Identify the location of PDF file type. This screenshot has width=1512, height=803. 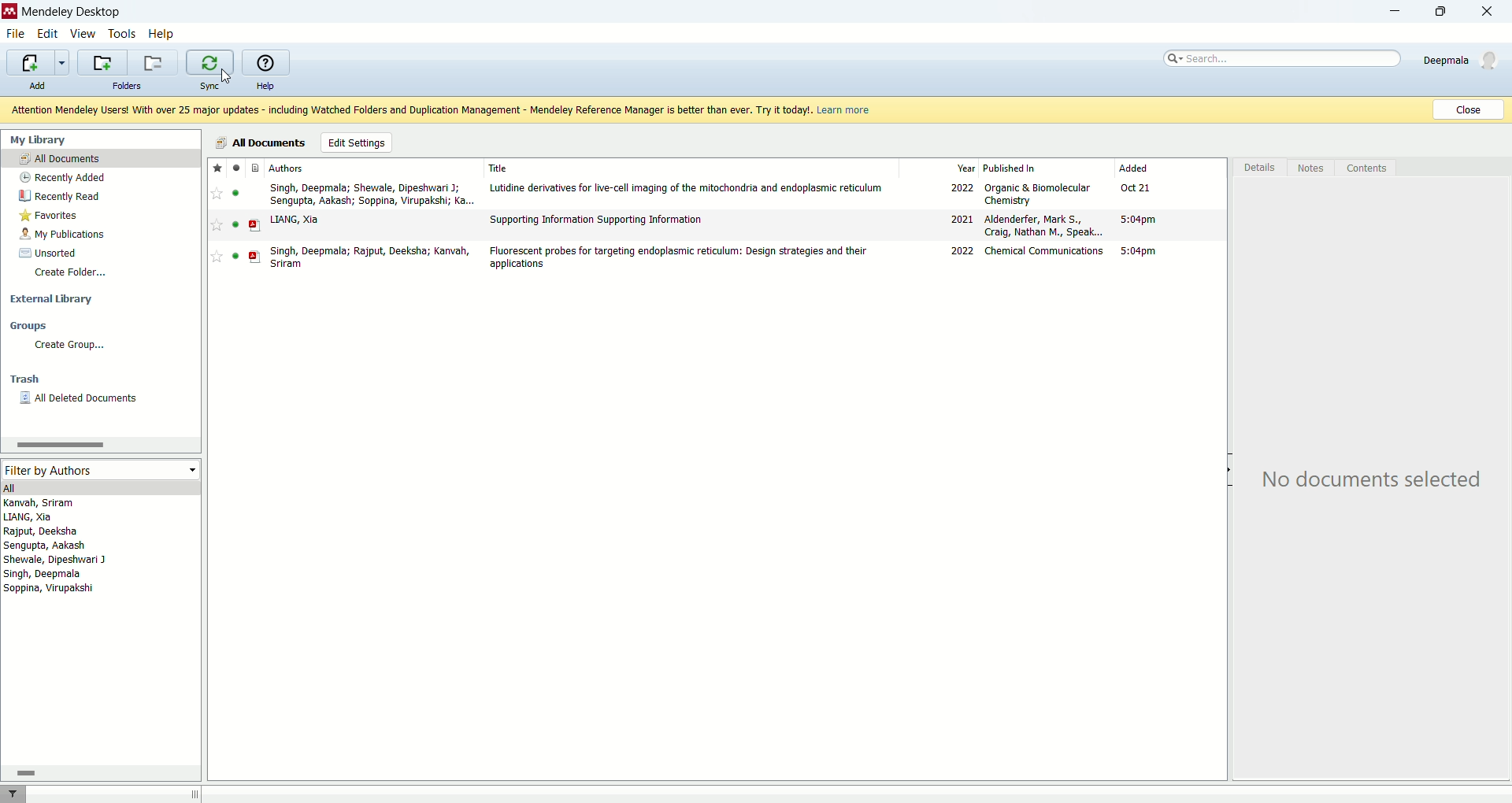
(258, 257).